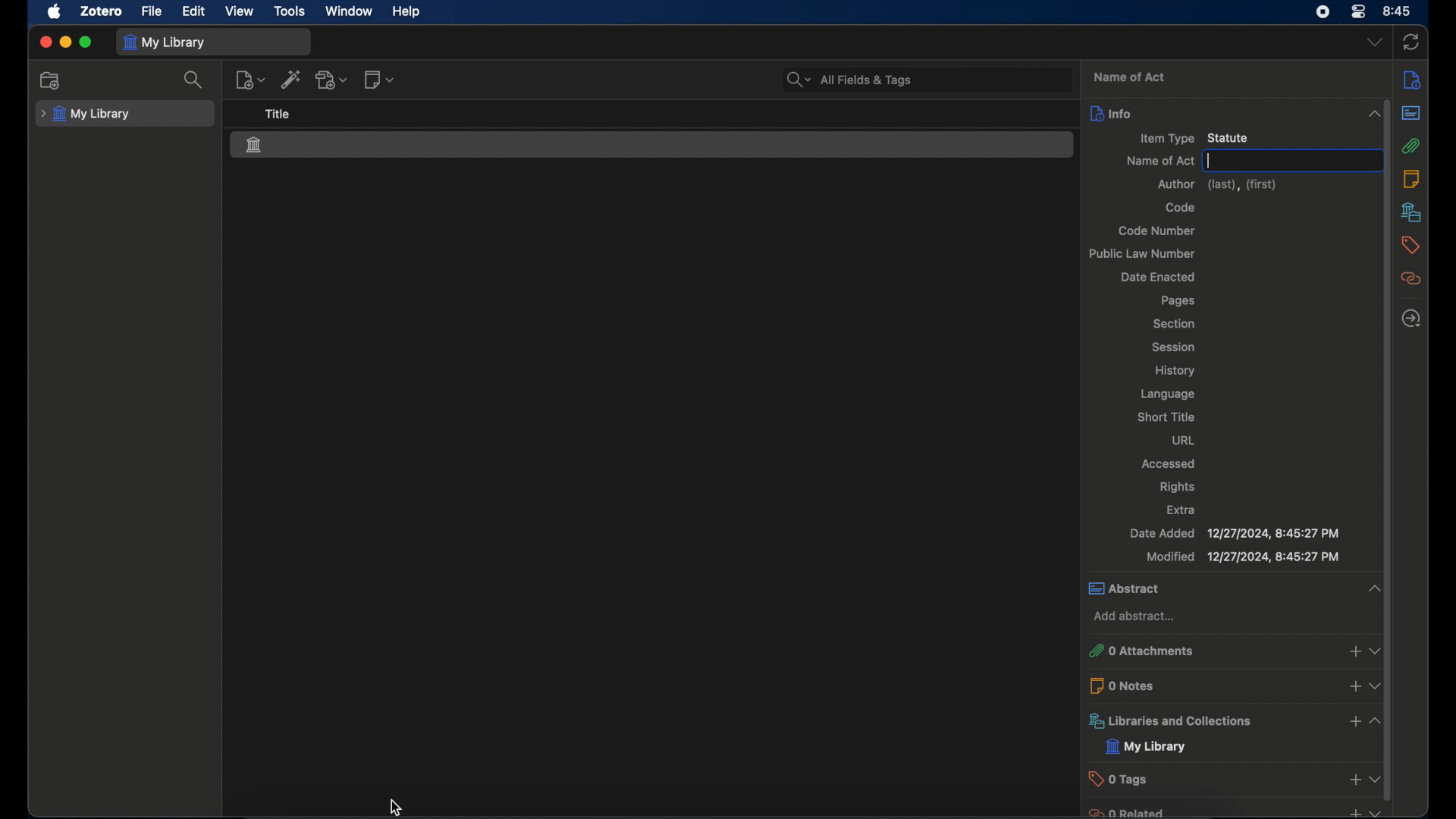  What do you see at coordinates (1170, 347) in the screenshot?
I see `session` at bounding box center [1170, 347].